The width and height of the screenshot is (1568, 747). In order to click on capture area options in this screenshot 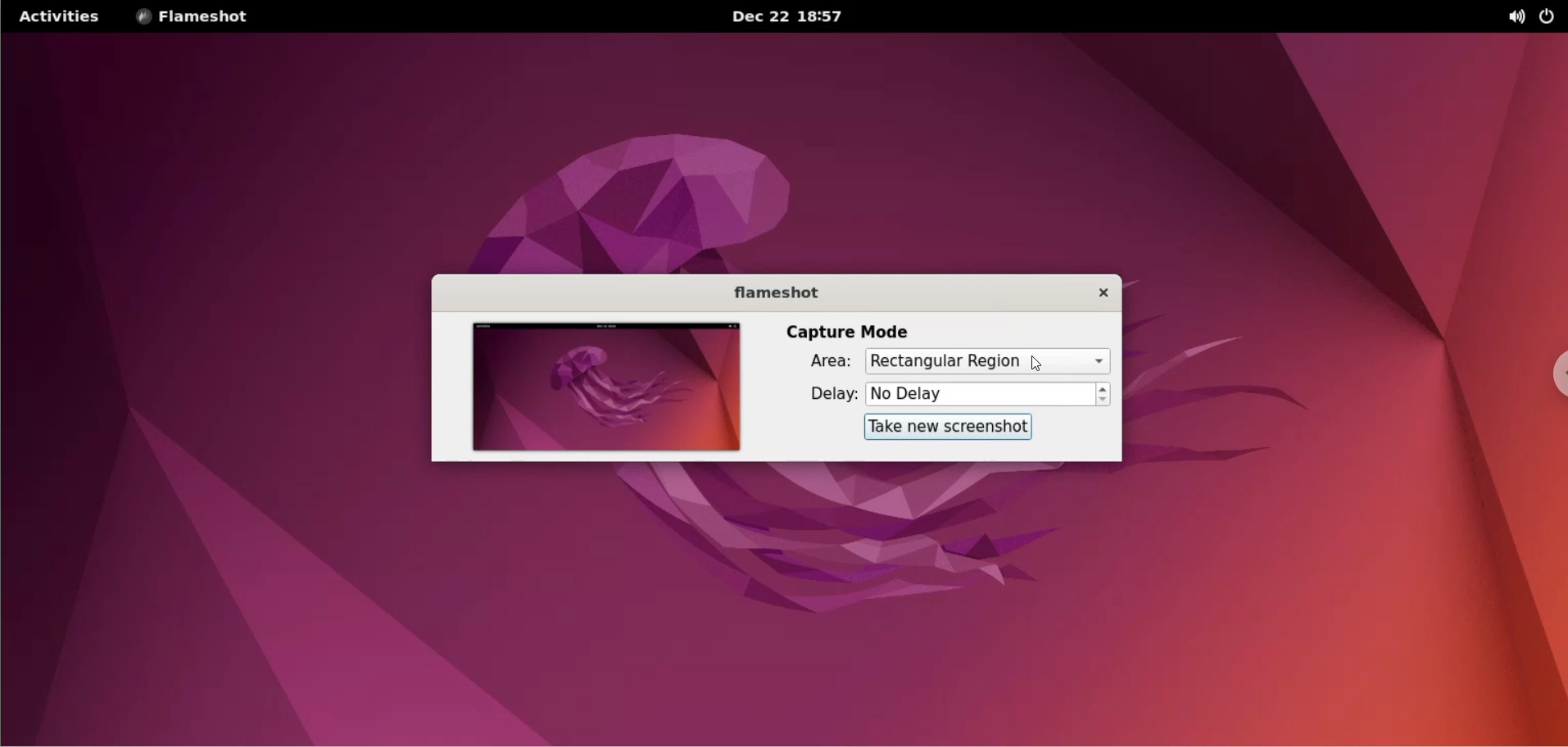, I will do `click(990, 361)`.